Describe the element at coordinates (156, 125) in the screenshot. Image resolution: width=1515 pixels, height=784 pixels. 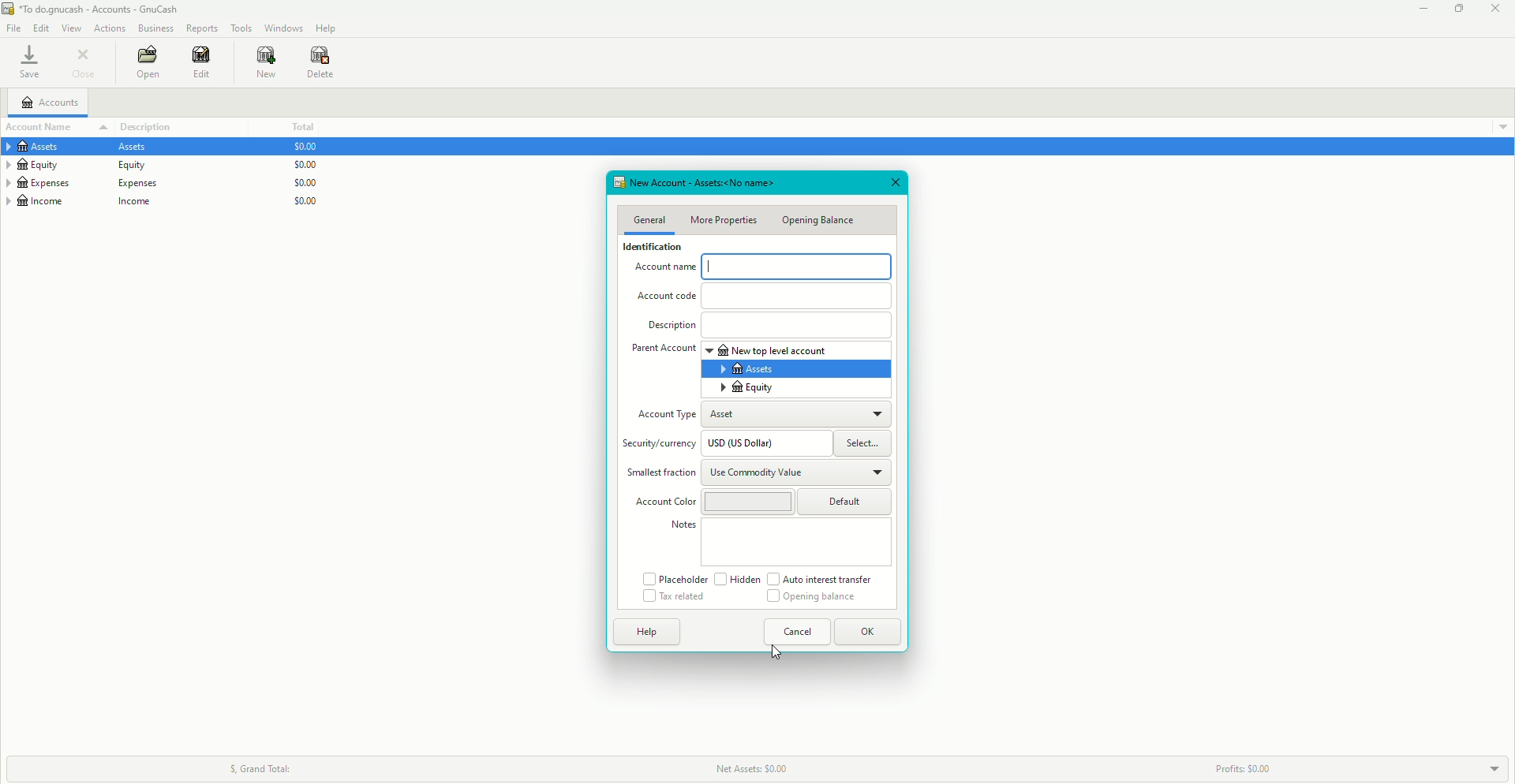
I see `Description` at that location.